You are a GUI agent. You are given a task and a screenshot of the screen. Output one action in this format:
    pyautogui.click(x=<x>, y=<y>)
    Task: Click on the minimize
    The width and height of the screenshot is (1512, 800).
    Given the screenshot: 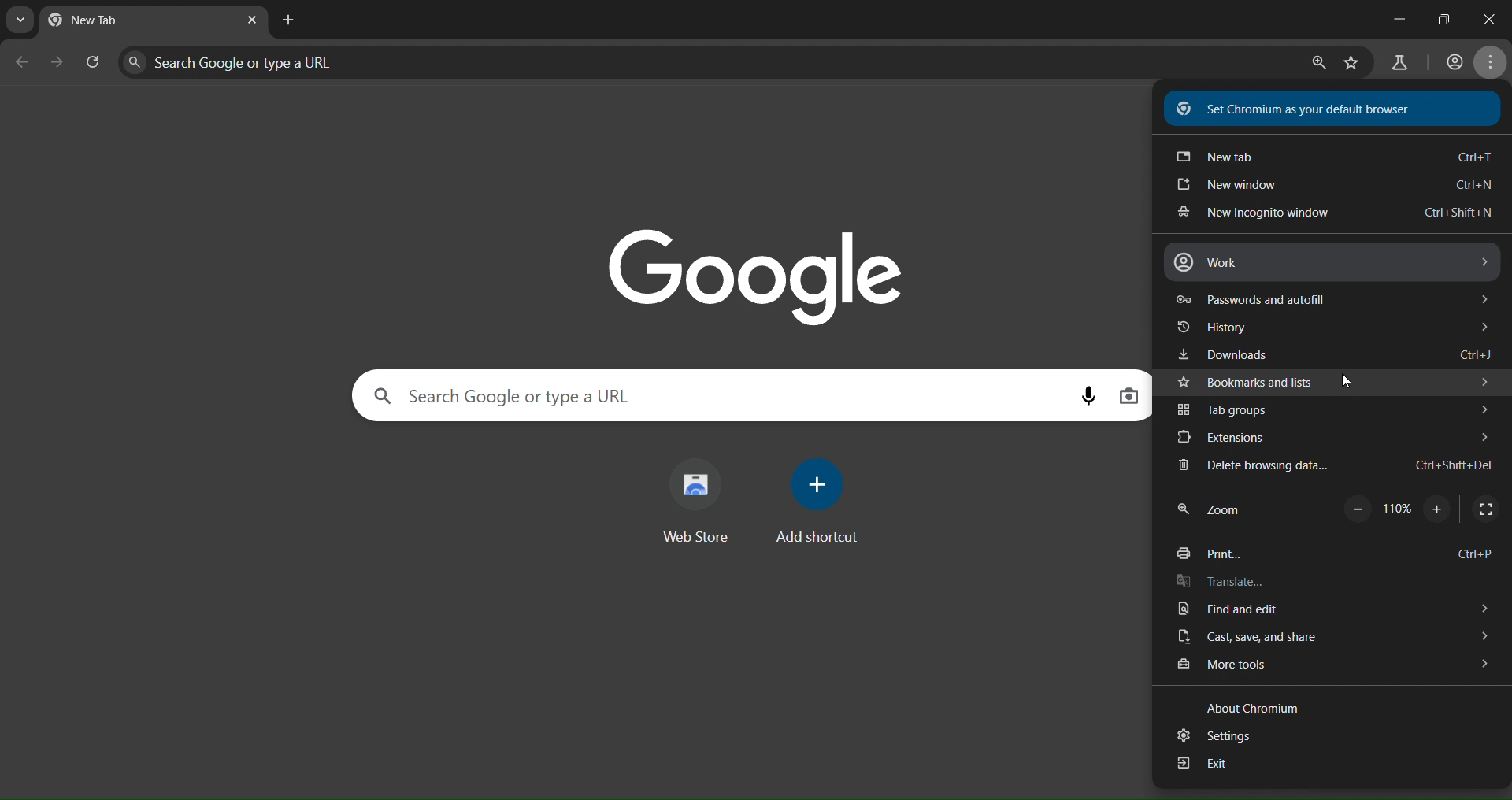 What is the action you would take?
    pyautogui.click(x=1384, y=22)
    